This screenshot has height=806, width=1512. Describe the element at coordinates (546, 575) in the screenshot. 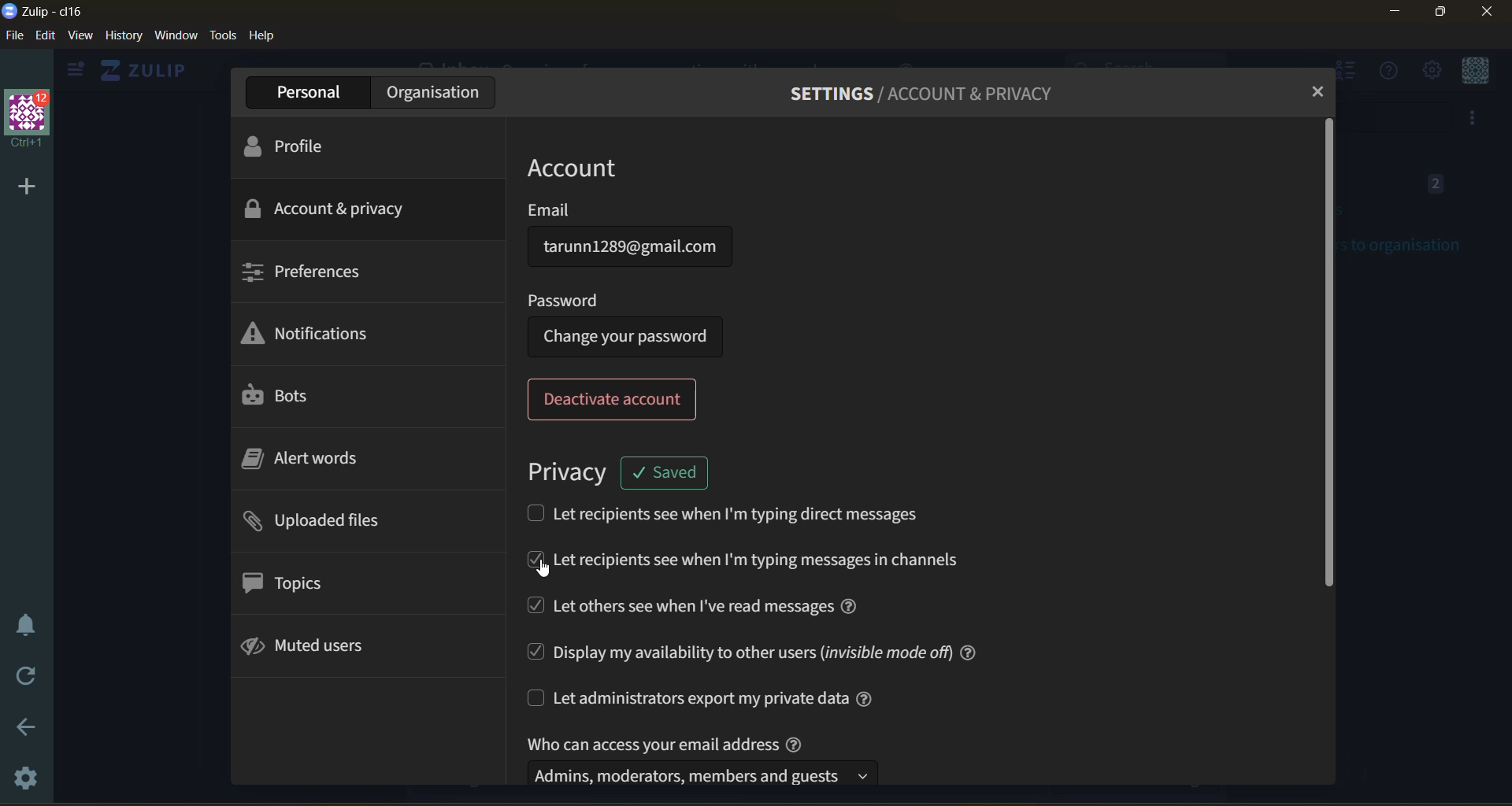

I see `cursor` at that location.